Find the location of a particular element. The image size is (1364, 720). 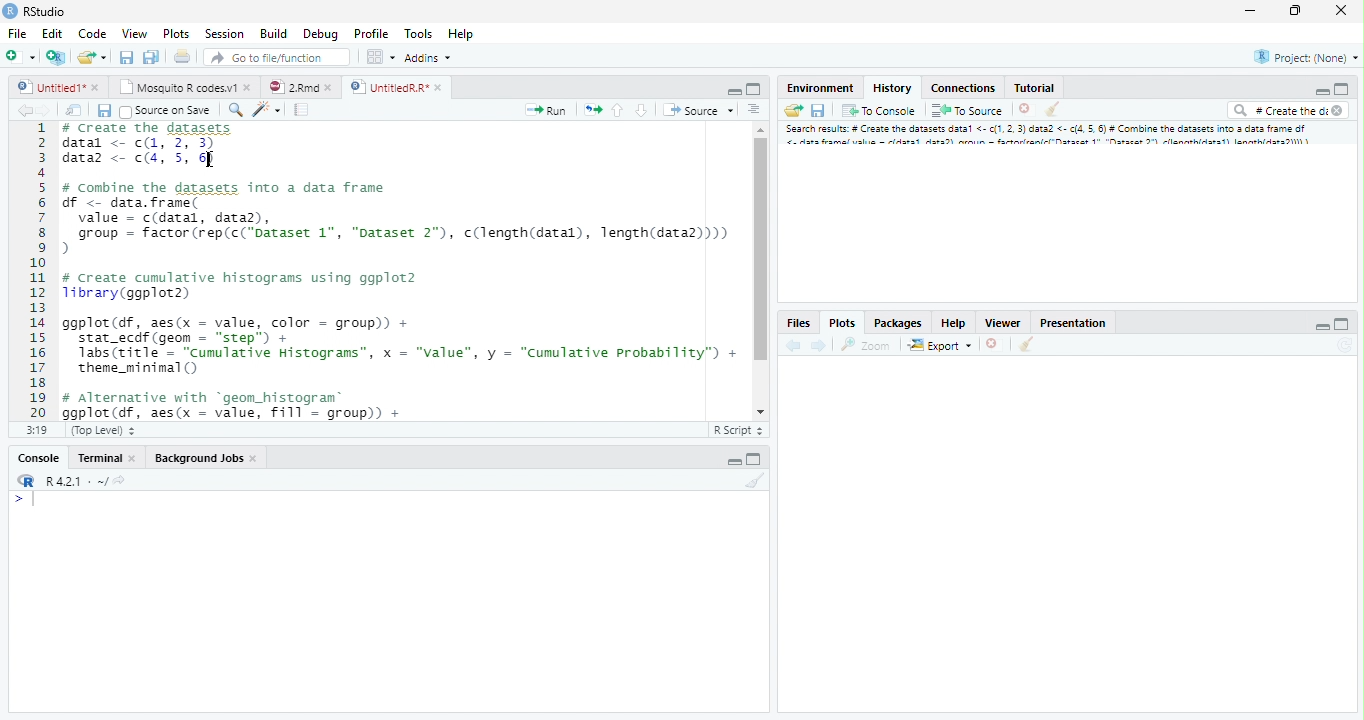

Scrollbar is located at coordinates (759, 268).